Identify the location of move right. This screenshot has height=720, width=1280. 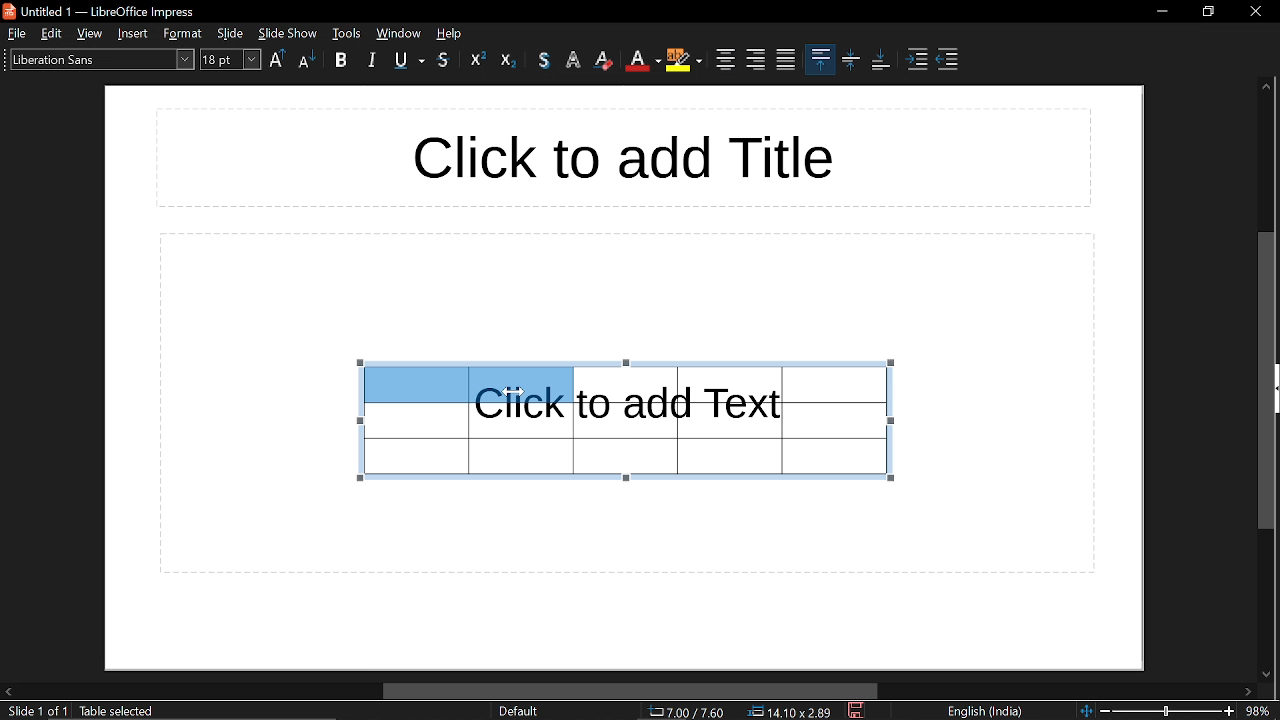
(1250, 692).